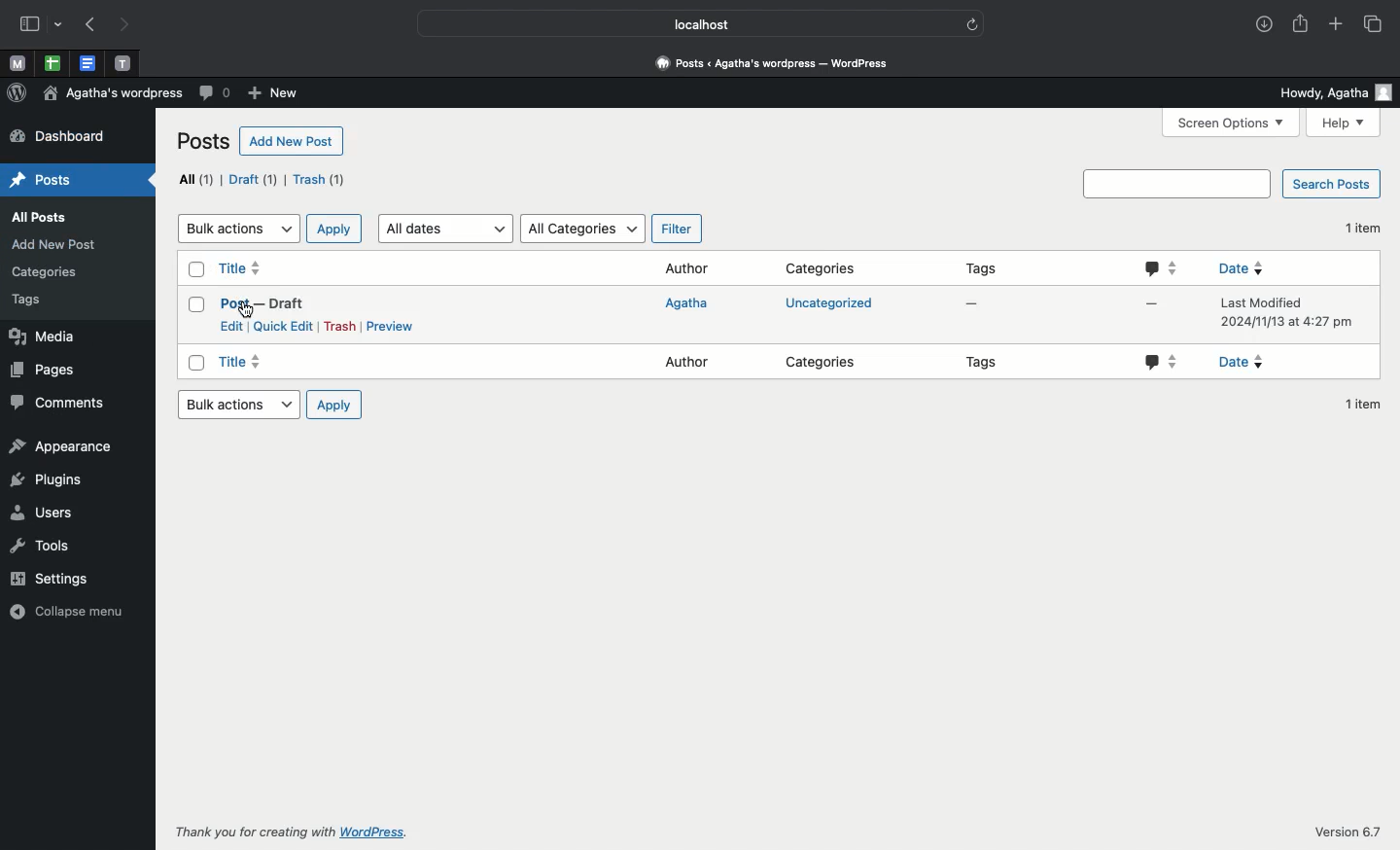  What do you see at coordinates (683, 268) in the screenshot?
I see `Author` at bounding box center [683, 268].